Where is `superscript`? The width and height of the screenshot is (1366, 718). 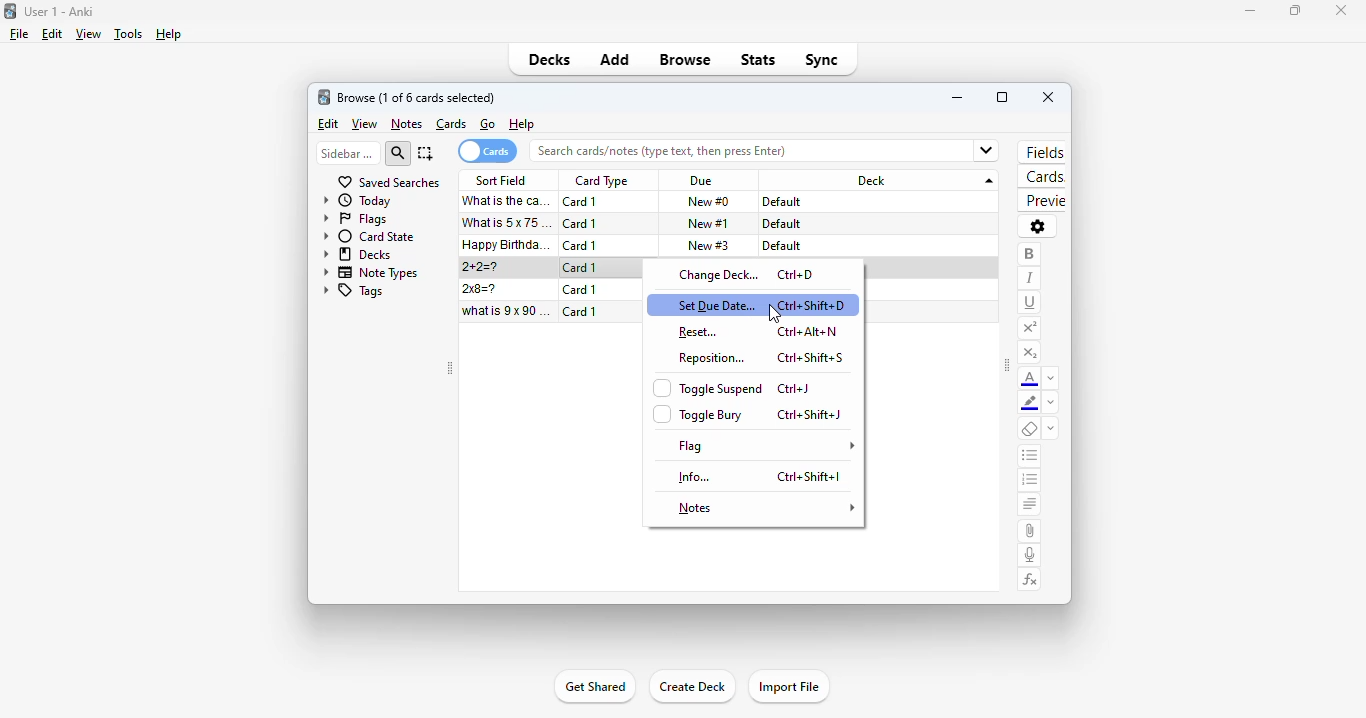 superscript is located at coordinates (1029, 328).